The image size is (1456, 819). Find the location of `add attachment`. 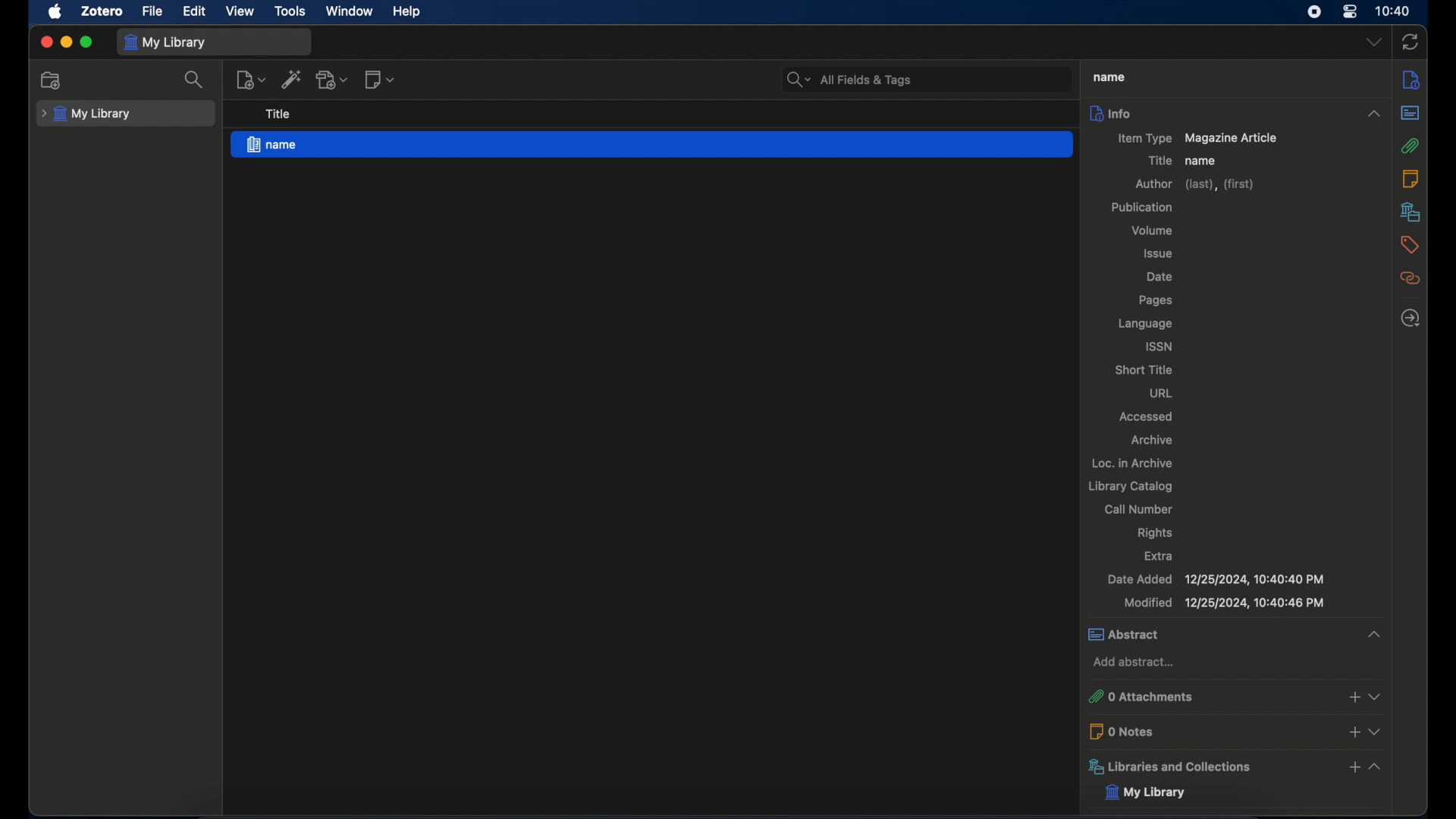

add attachment is located at coordinates (334, 80).